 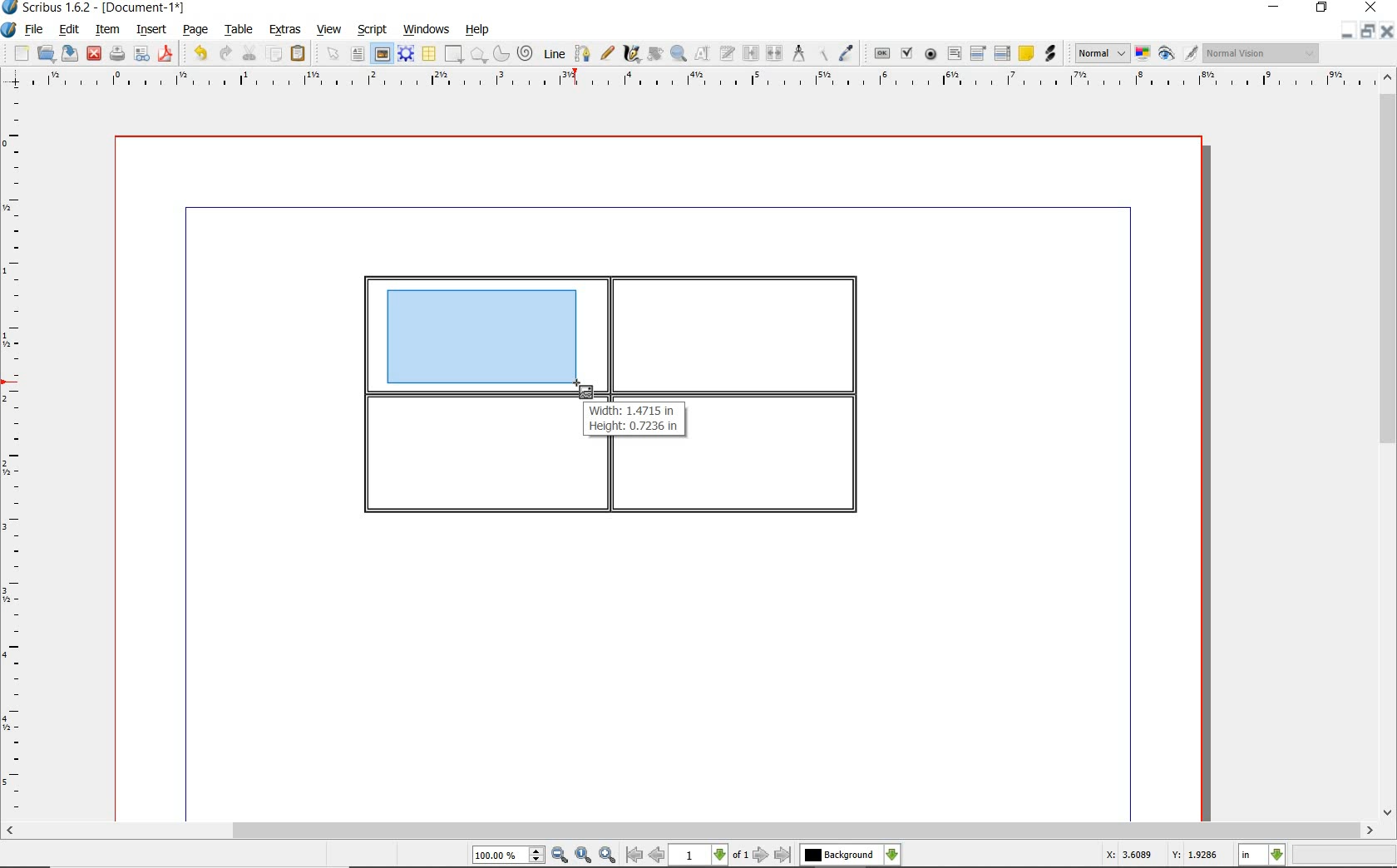 What do you see at coordinates (931, 55) in the screenshot?
I see `pdf radio box` at bounding box center [931, 55].